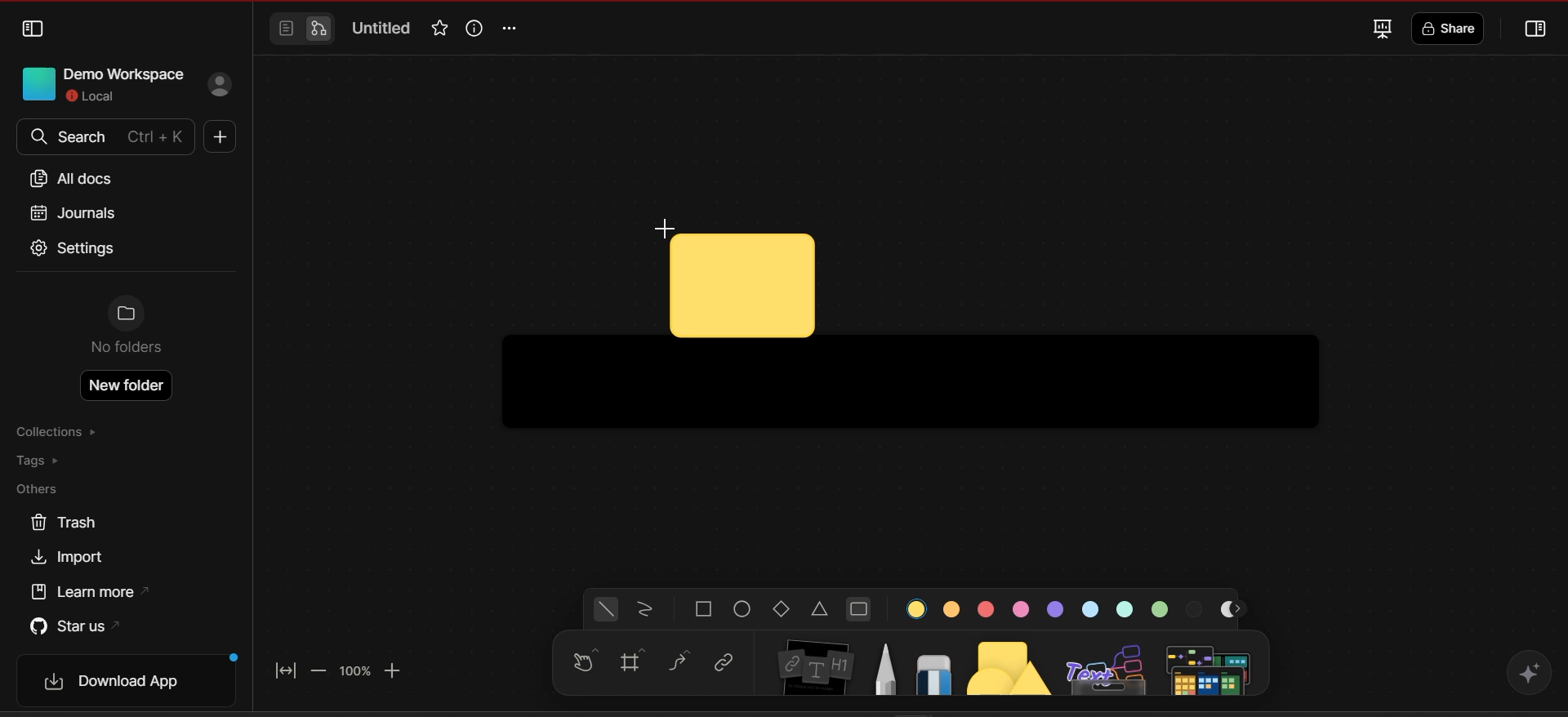 The width and height of the screenshot is (1568, 717). I want to click on color 7, so click(1126, 608).